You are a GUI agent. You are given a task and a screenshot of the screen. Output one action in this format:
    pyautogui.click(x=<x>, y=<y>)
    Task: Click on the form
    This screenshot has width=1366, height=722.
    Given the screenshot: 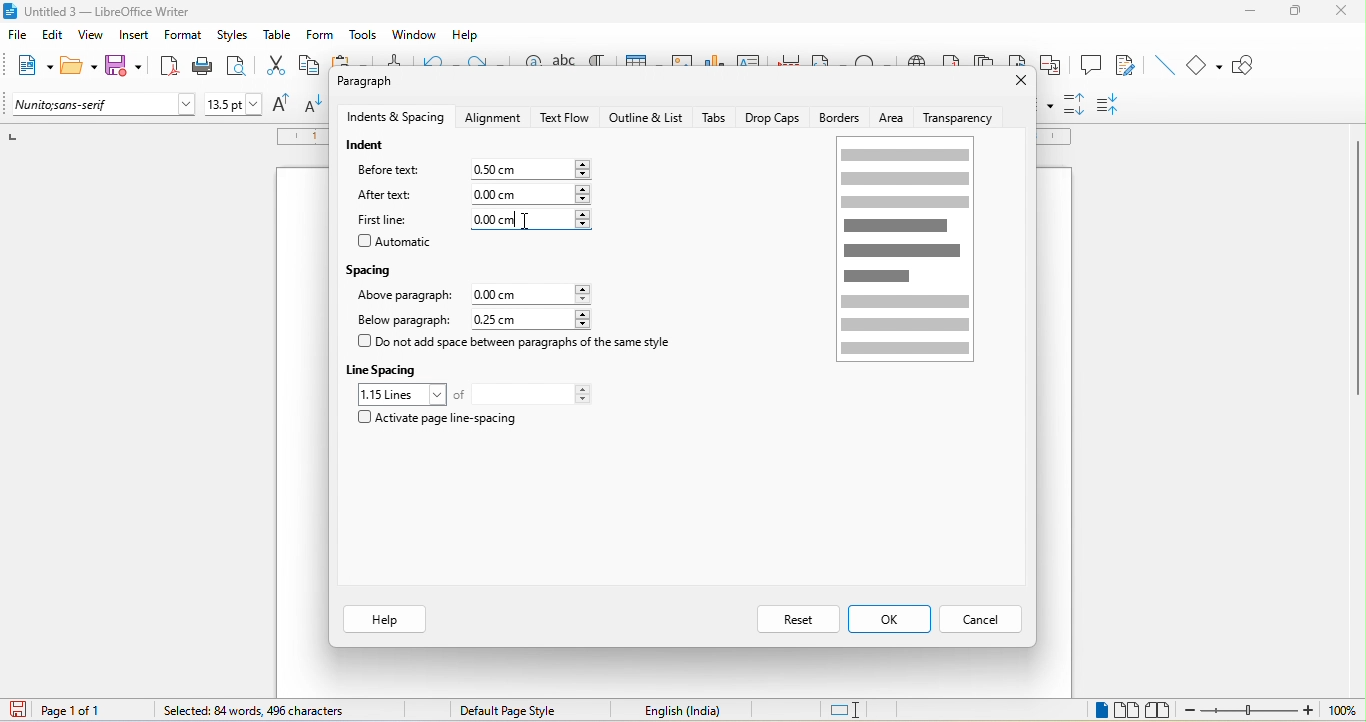 What is the action you would take?
    pyautogui.click(x=319, y=34)
    